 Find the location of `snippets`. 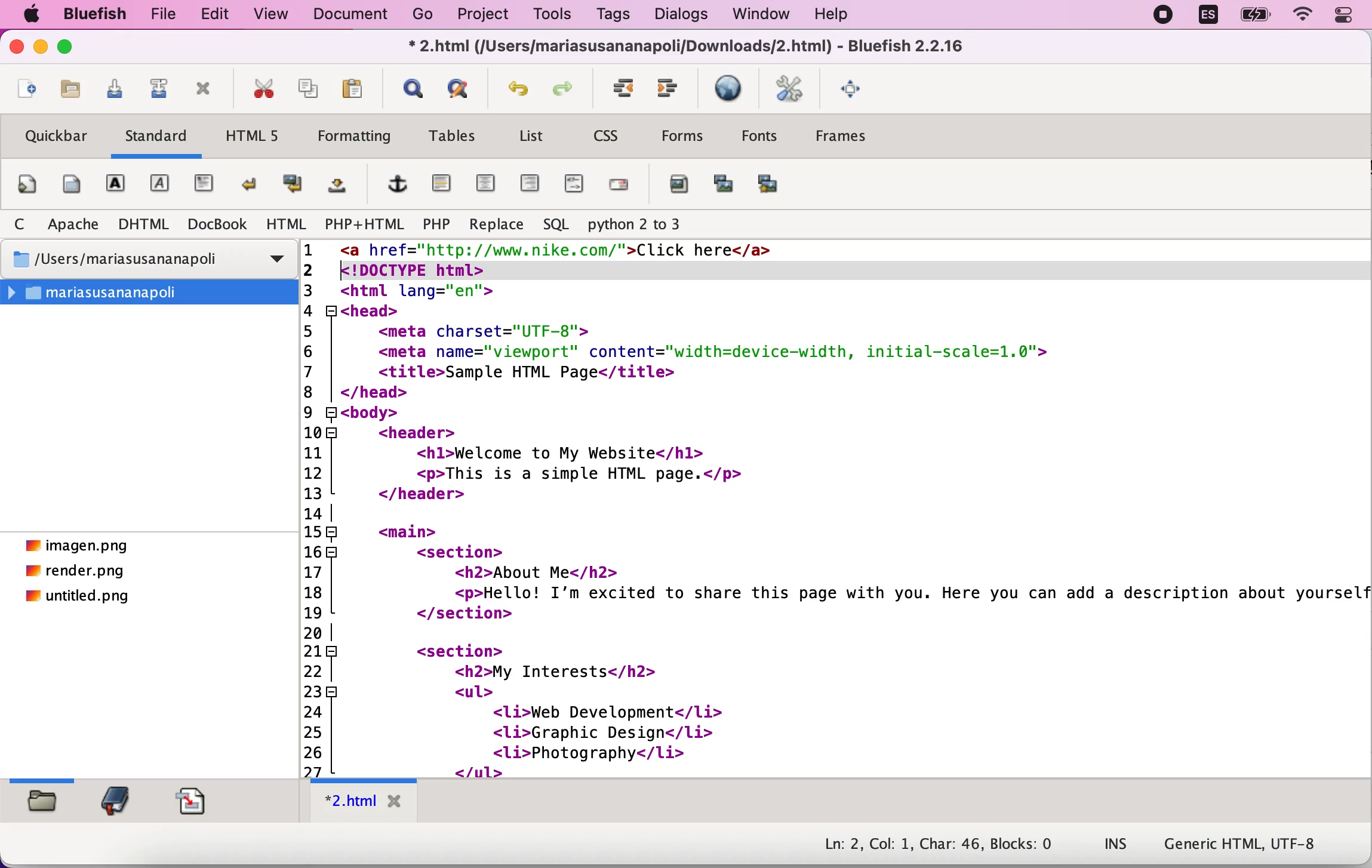

snippets is located at coordinates (195, 802).